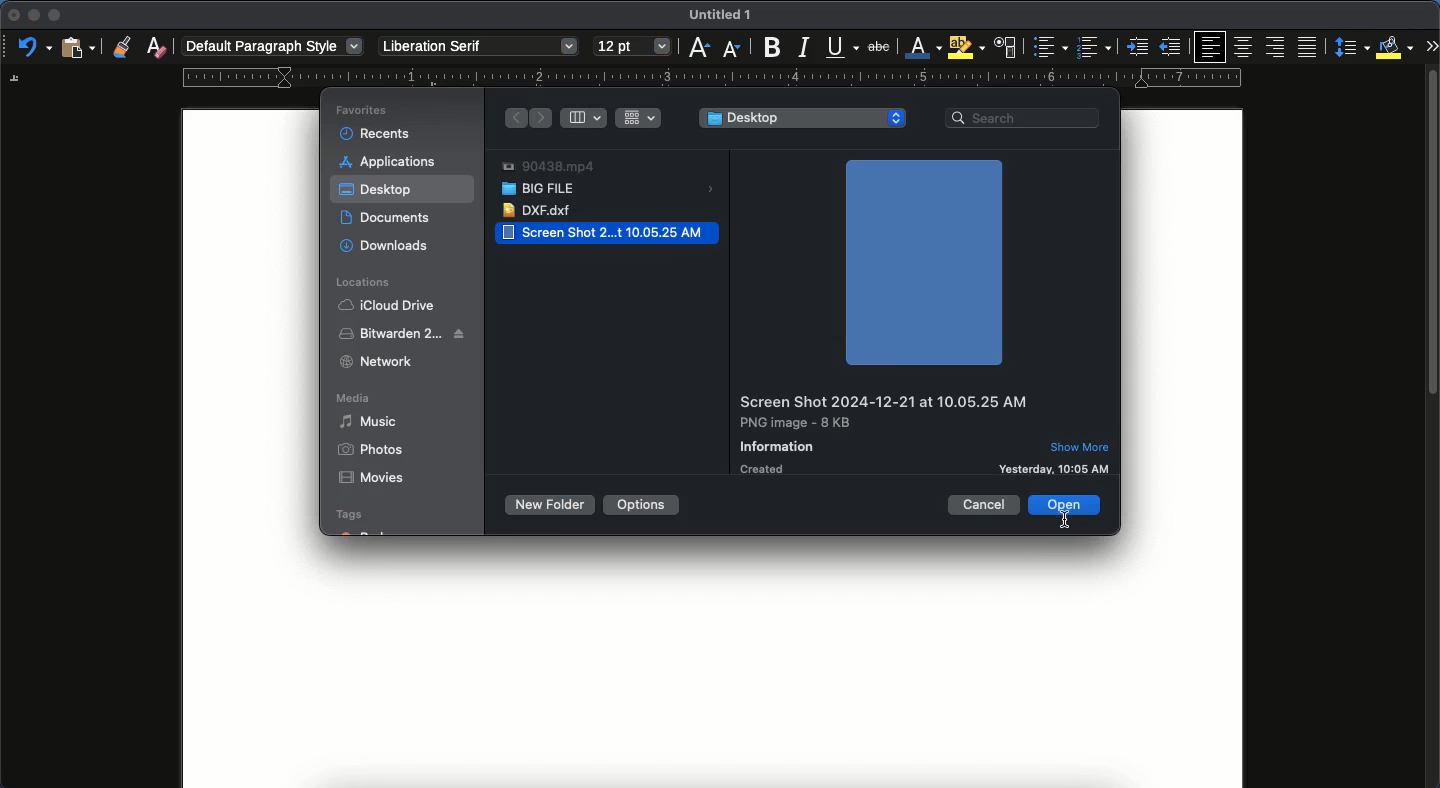  What do you see at coordinates (1025, 116) in the screenshot?
I see `search` at bounding box center [1025, 116].